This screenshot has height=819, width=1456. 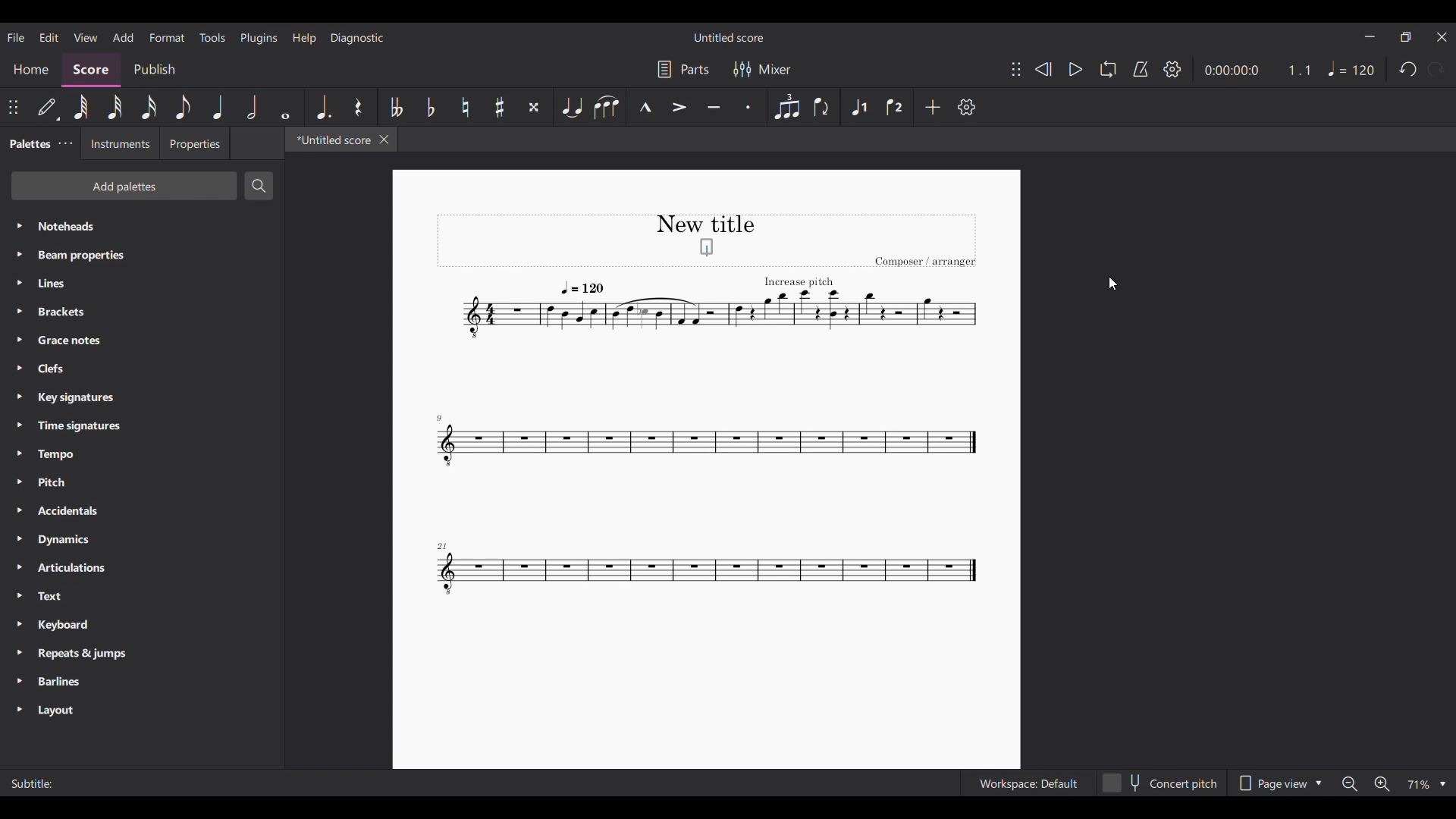 What do you see at coordinates (143, 227) in the screenshot?
I see `Noteheads` at bounding box center [143, 227].